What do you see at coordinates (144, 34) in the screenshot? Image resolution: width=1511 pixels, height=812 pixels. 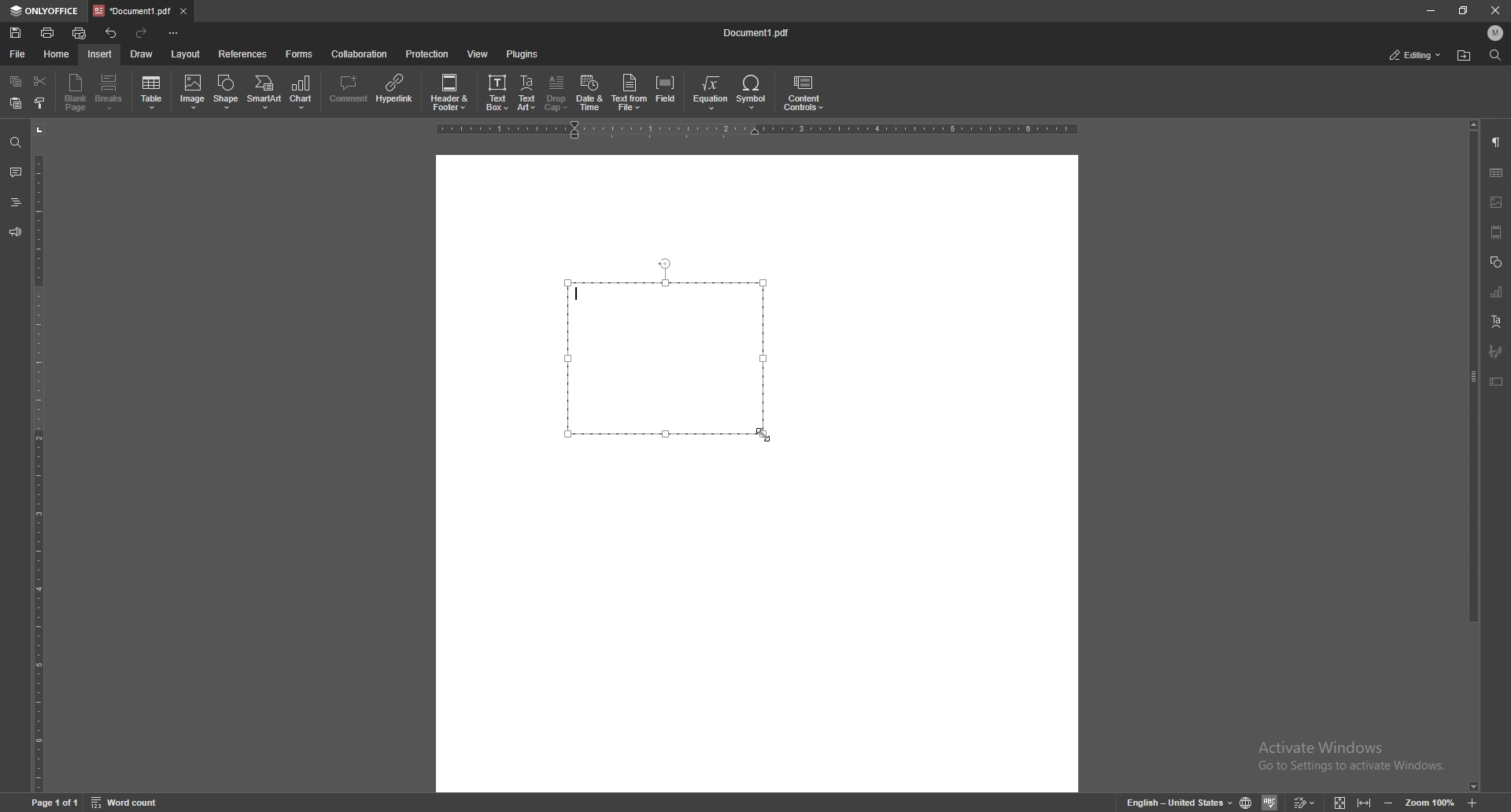 I see `redo` at bounding box center [144, 34].